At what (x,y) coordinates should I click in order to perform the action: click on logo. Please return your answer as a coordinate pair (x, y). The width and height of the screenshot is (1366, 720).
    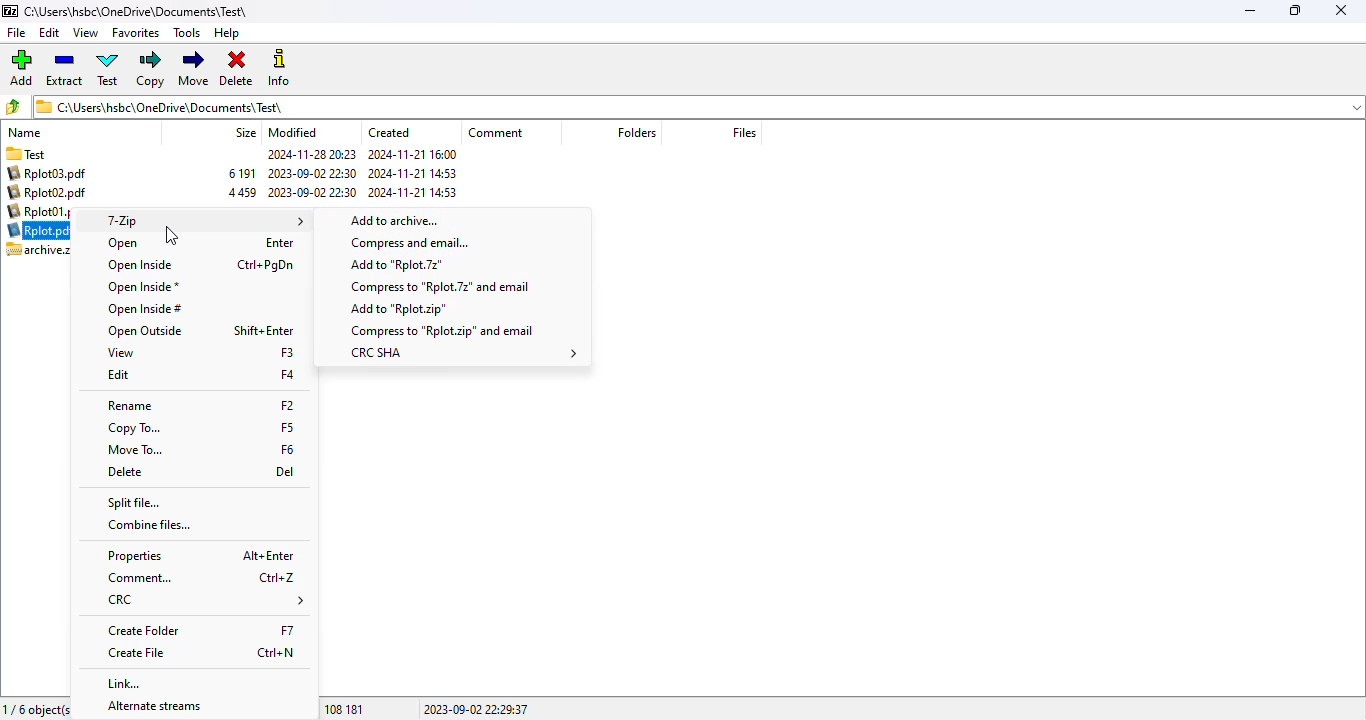
    Looking at the image, I should click on (9, 10).